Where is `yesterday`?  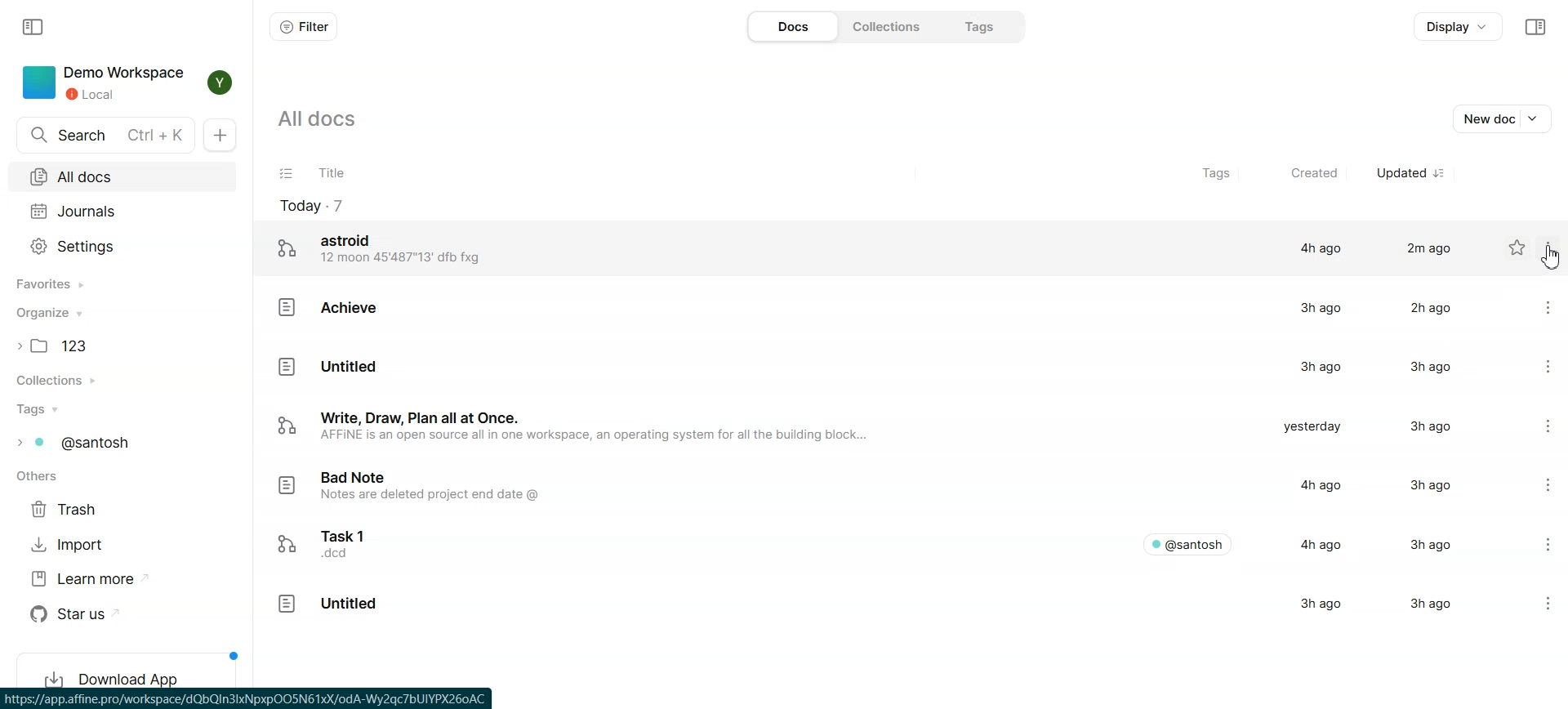
yesterday is located at coordinates (1310, 427).